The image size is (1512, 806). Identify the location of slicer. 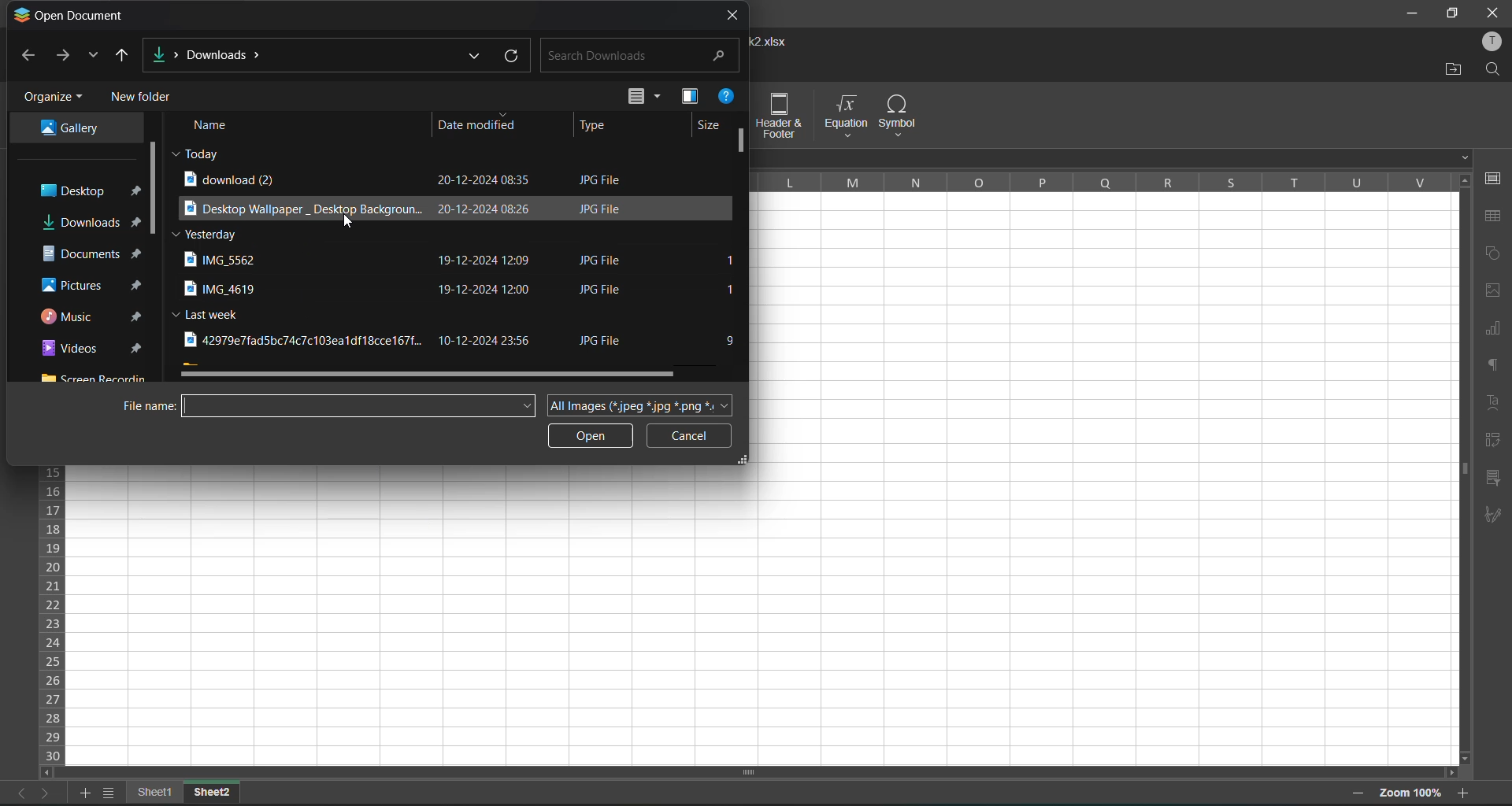
(1494, 479).